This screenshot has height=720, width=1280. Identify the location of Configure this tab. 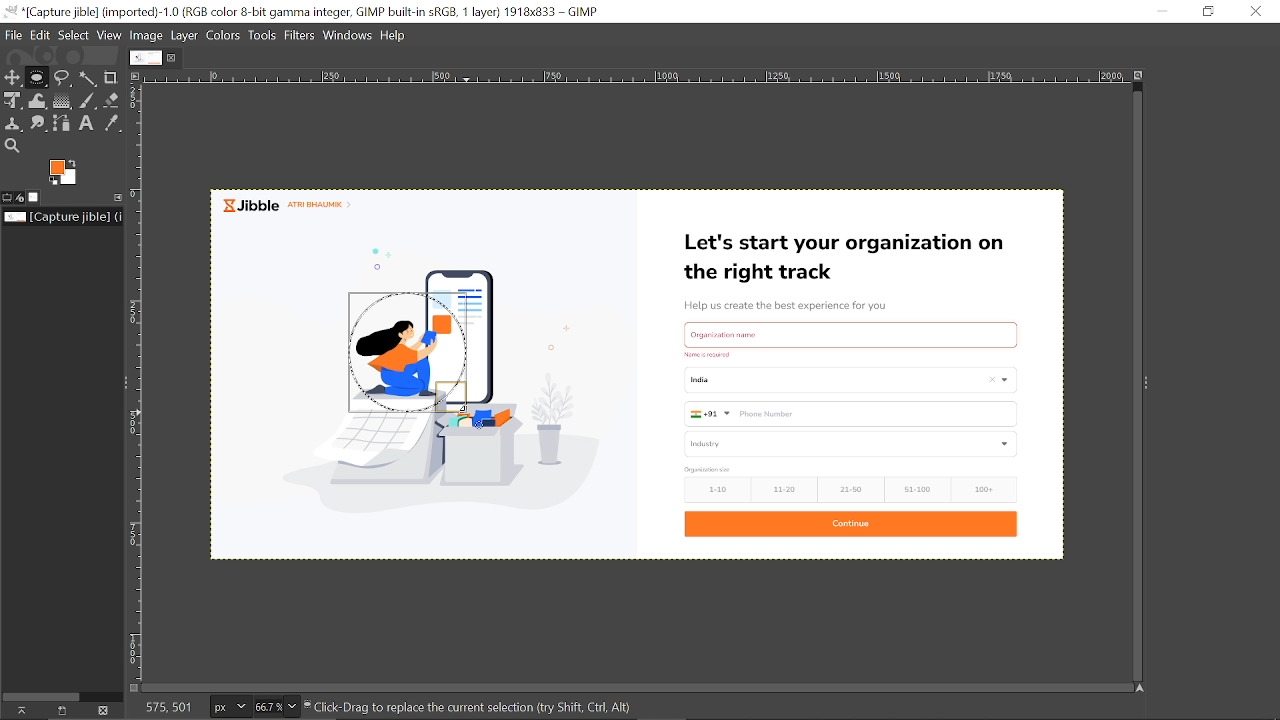
(119, 196).